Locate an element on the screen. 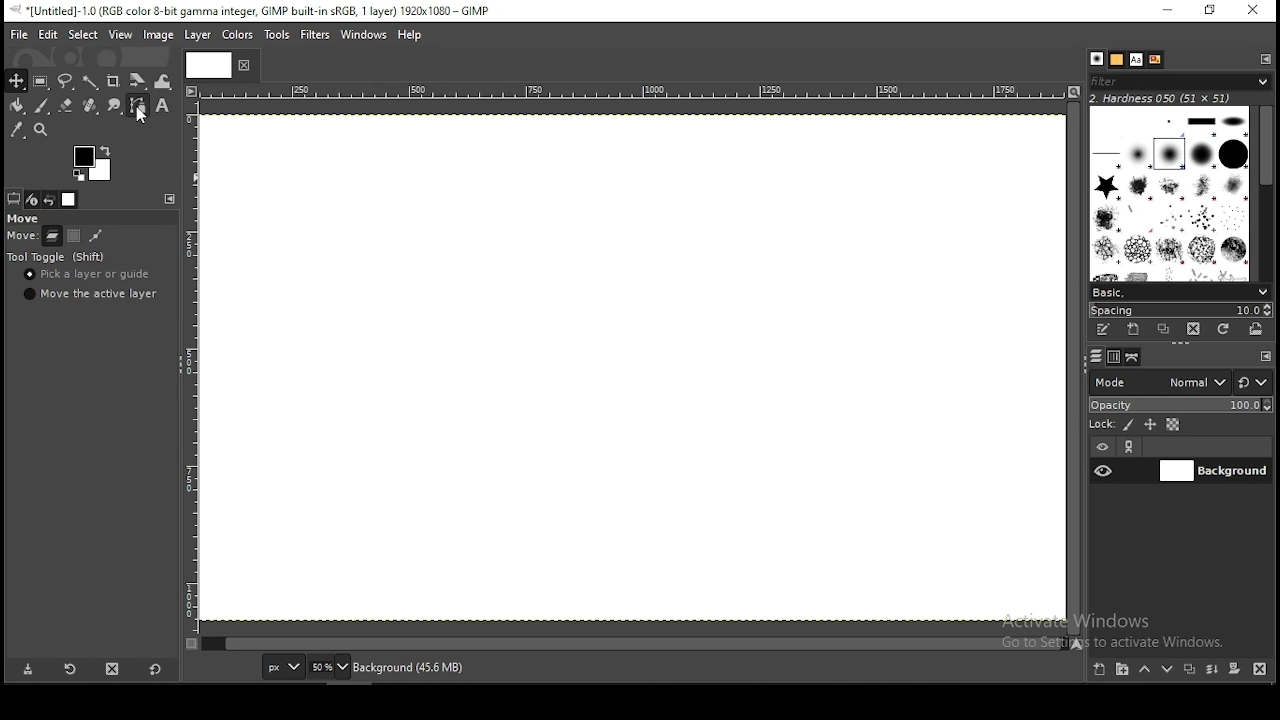  filters is located at coordinates (314, 34).